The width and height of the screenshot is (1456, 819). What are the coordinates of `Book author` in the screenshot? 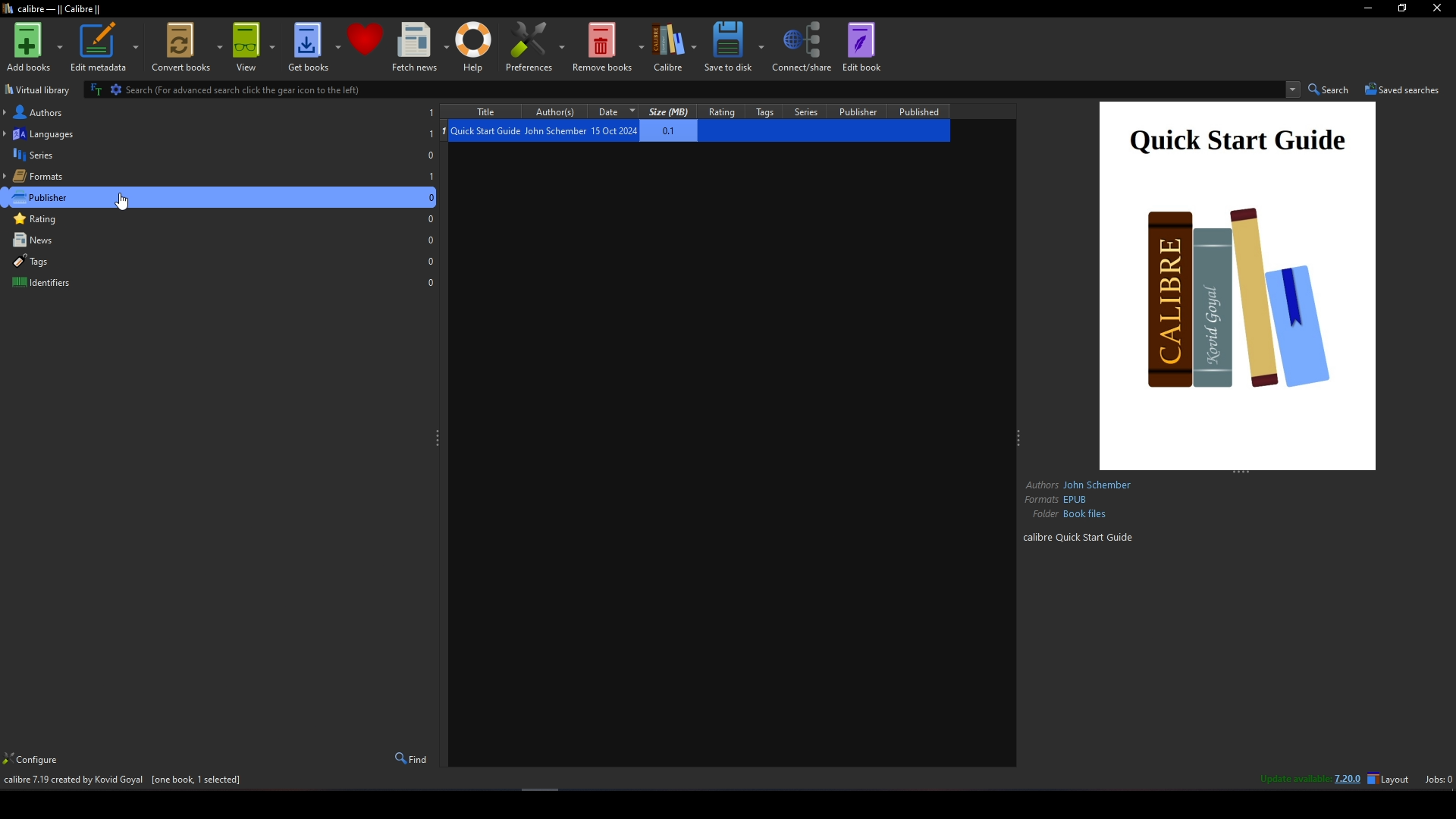 It's located at (1081, 484).